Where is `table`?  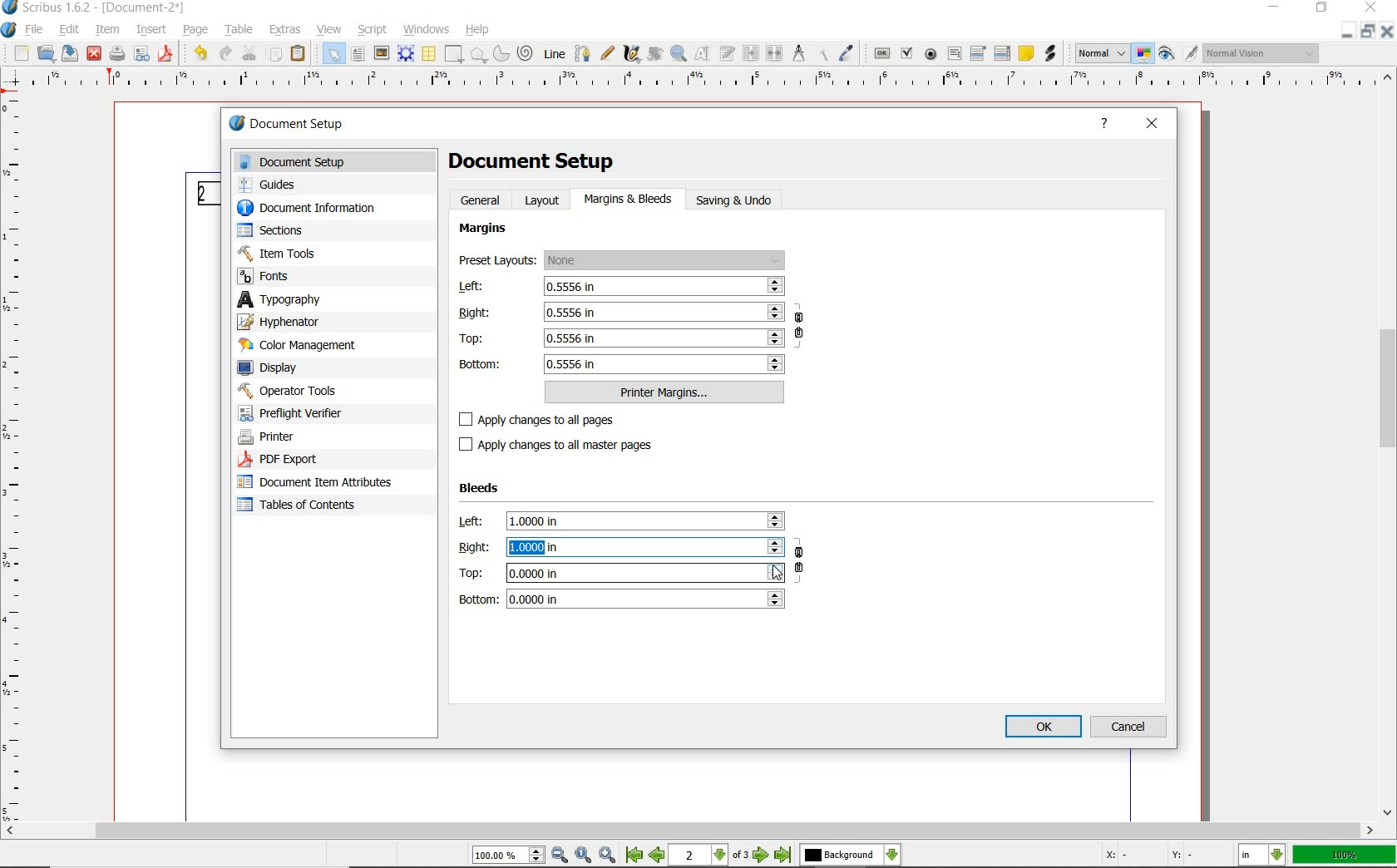
table is located at coordinates (428, 54).